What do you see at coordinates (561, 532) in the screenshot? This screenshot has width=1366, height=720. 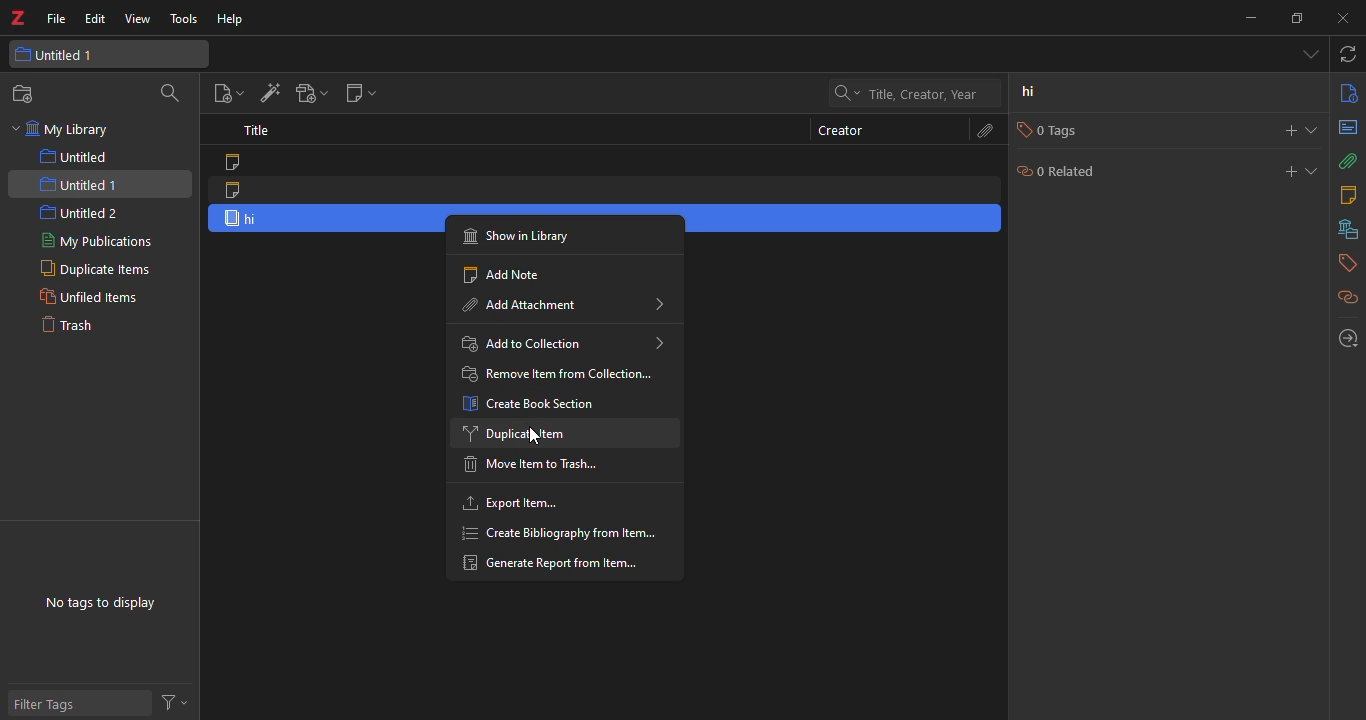 I see `create bibliography from item` at bounding box center [561, 532].